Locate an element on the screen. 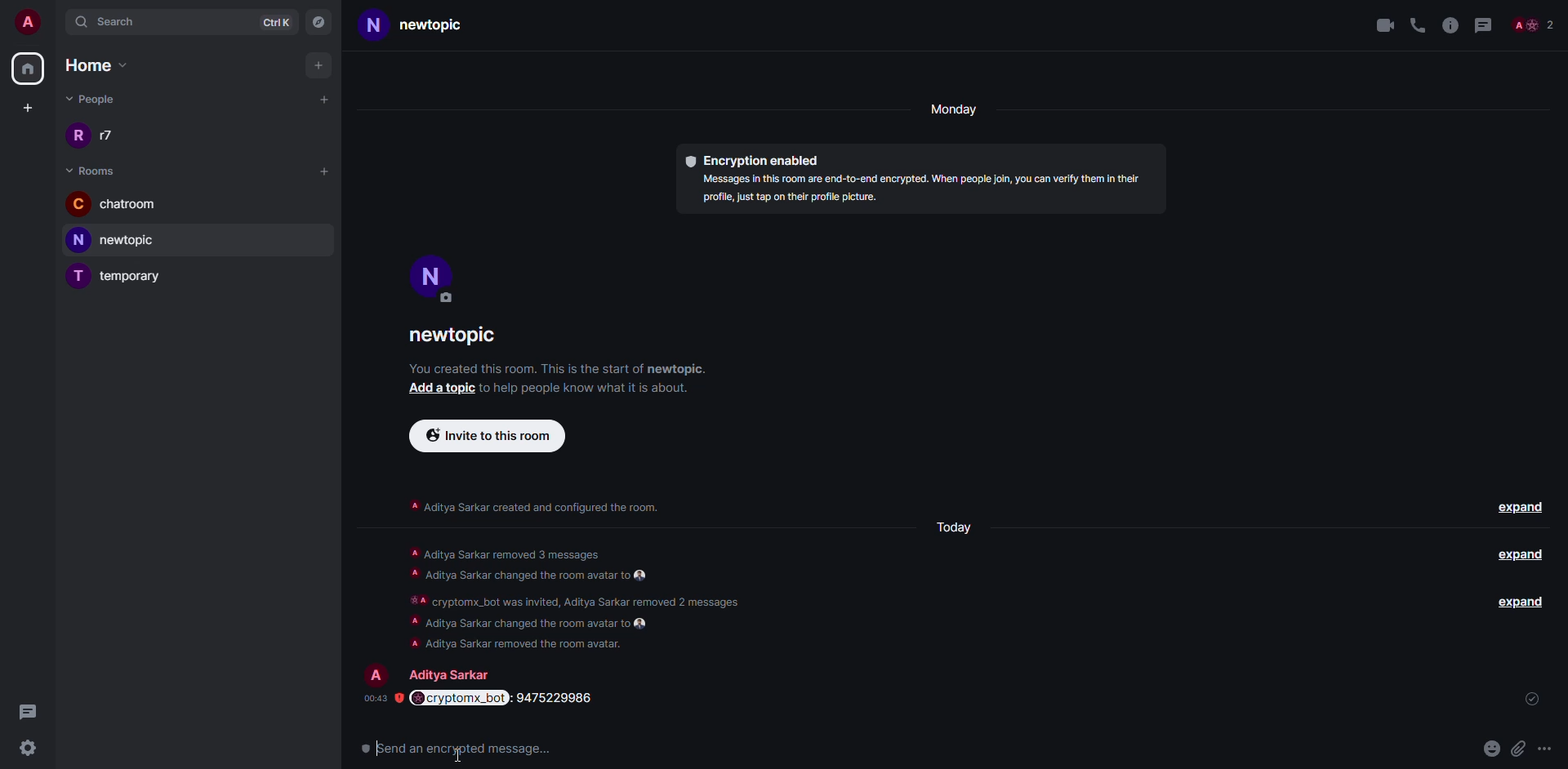  ‘A Aditya Sarkar created and configured the room. is located at coordinates (544, 508).